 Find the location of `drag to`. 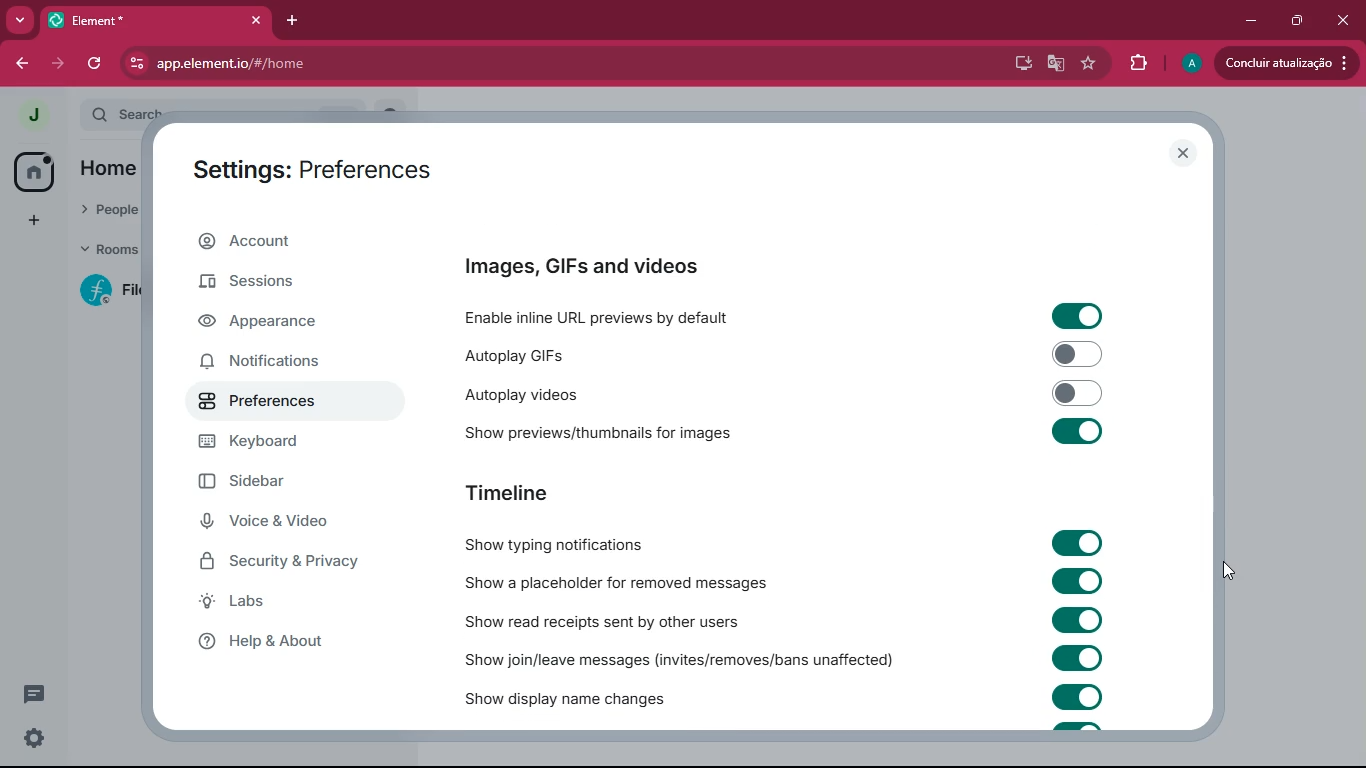

drag to is located at coordinates (1229, 571).